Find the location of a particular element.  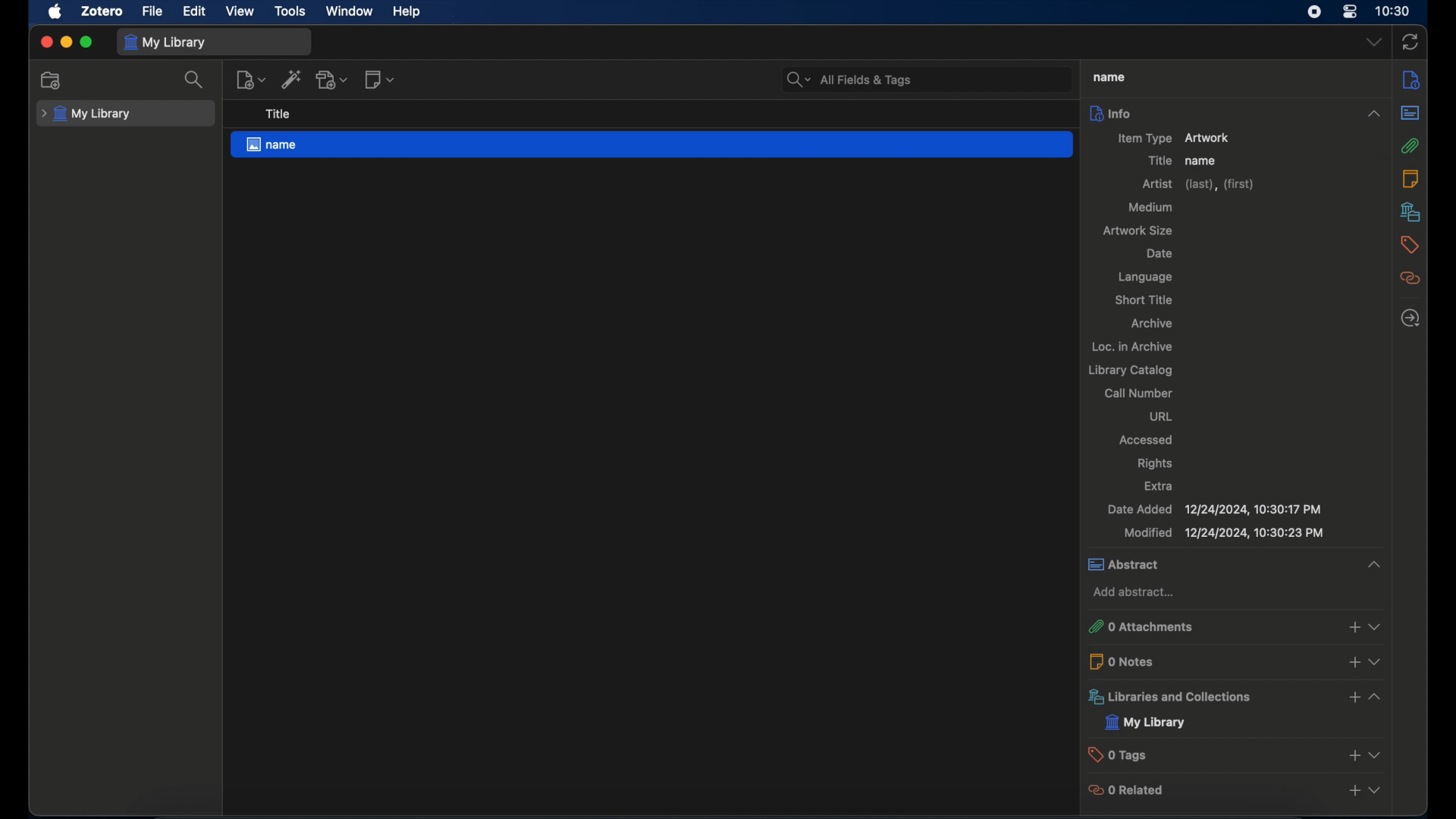

new collection is located at coordinates (51, 80).